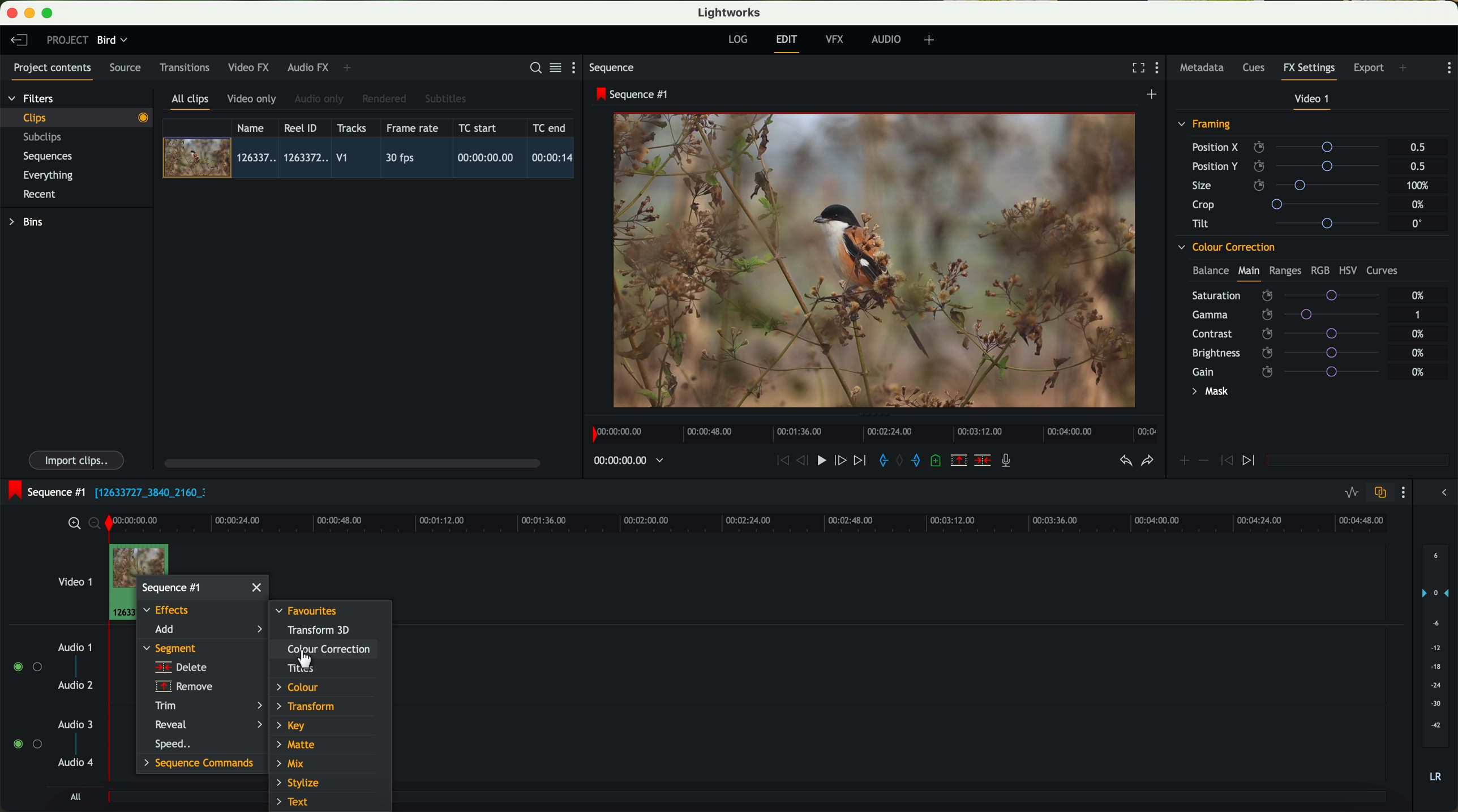 The image size is (1458, 812). What do you see at coordinates (532, 68) in the screenshot?
I see `search for assets or bins` at bounding box center [532, 68].